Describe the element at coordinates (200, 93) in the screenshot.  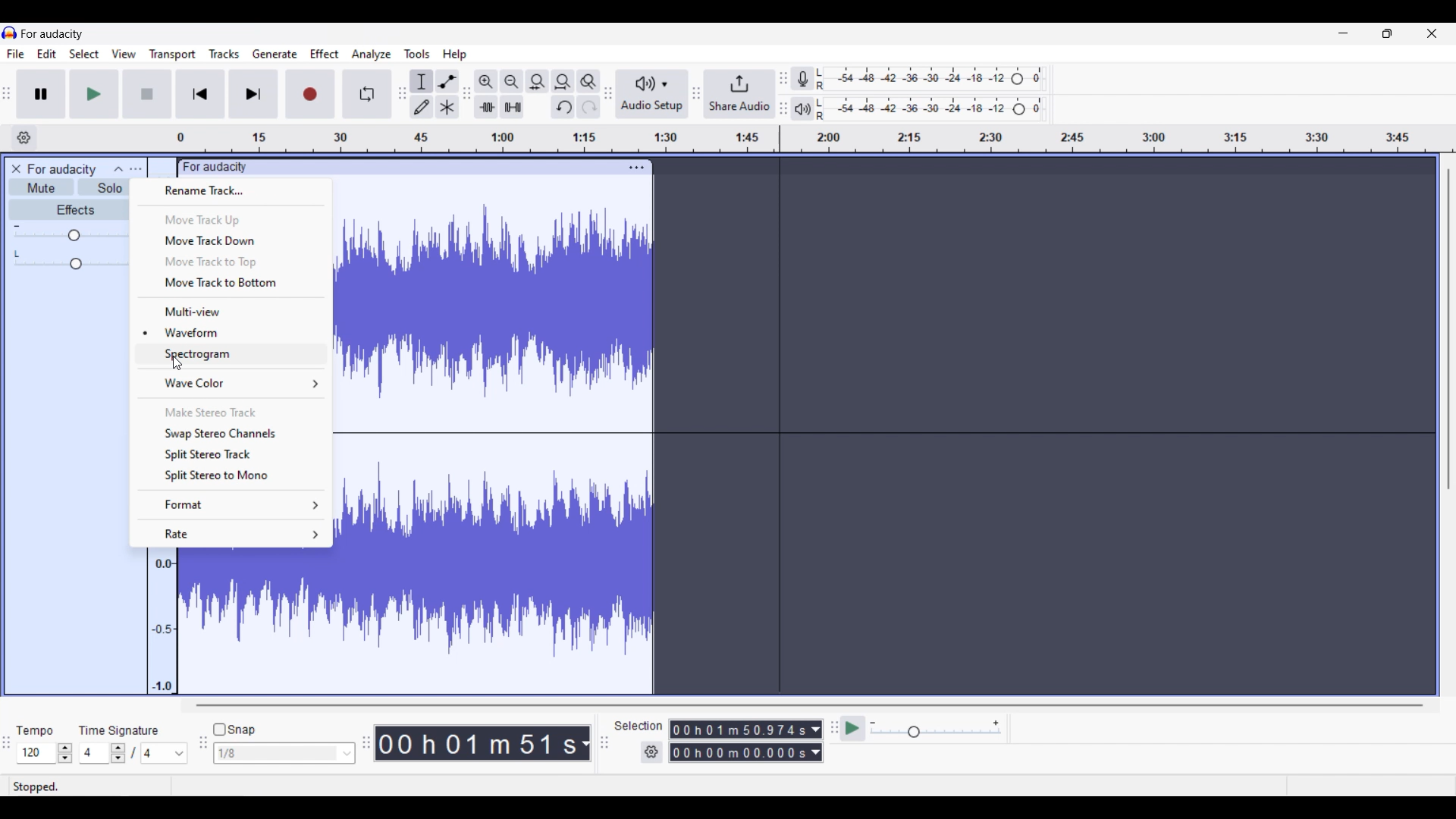
I see `Skip/Select to start` at that location.